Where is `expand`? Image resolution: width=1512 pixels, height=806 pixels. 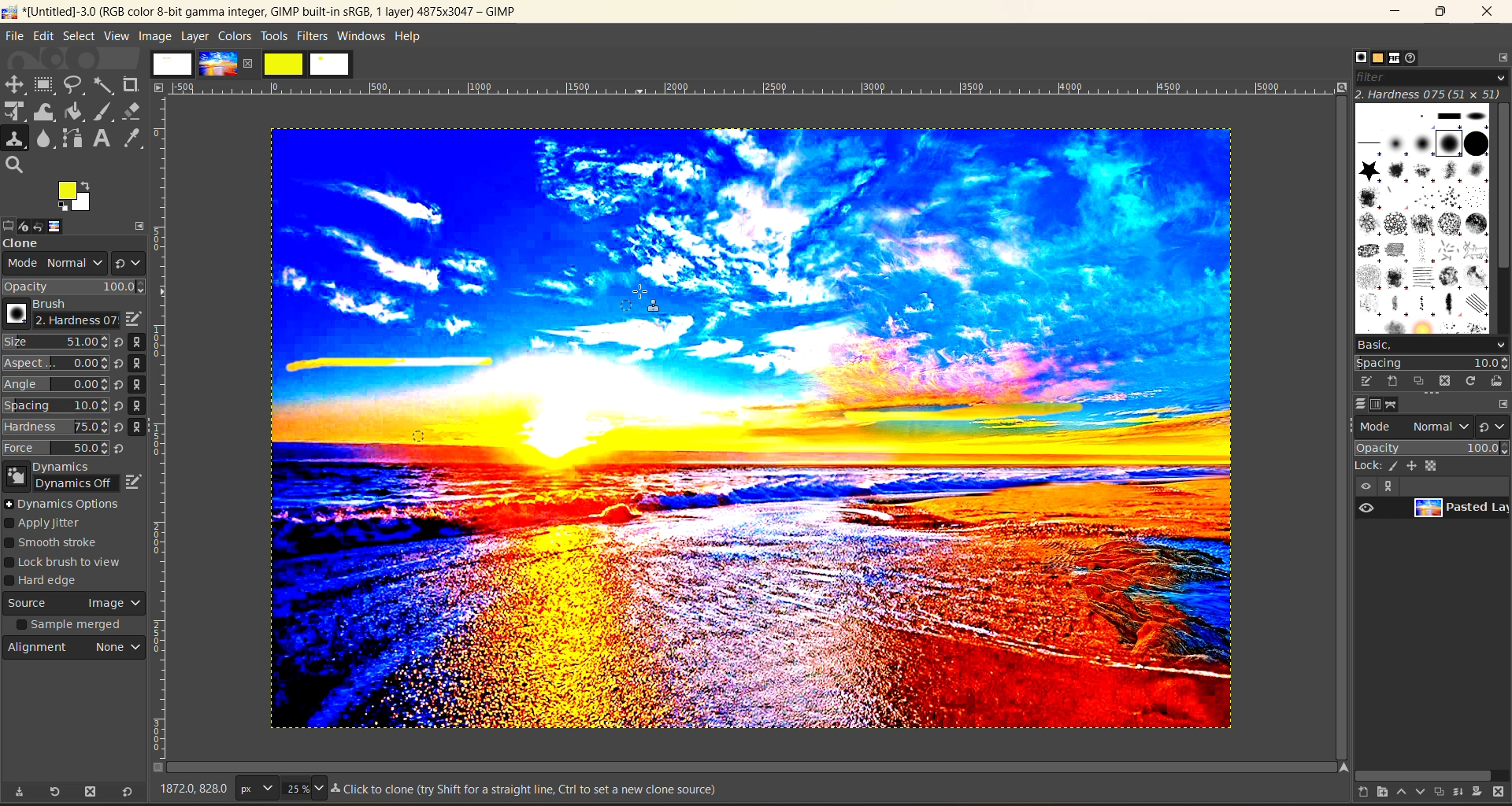 expand is located at coordinates (1386, 486).